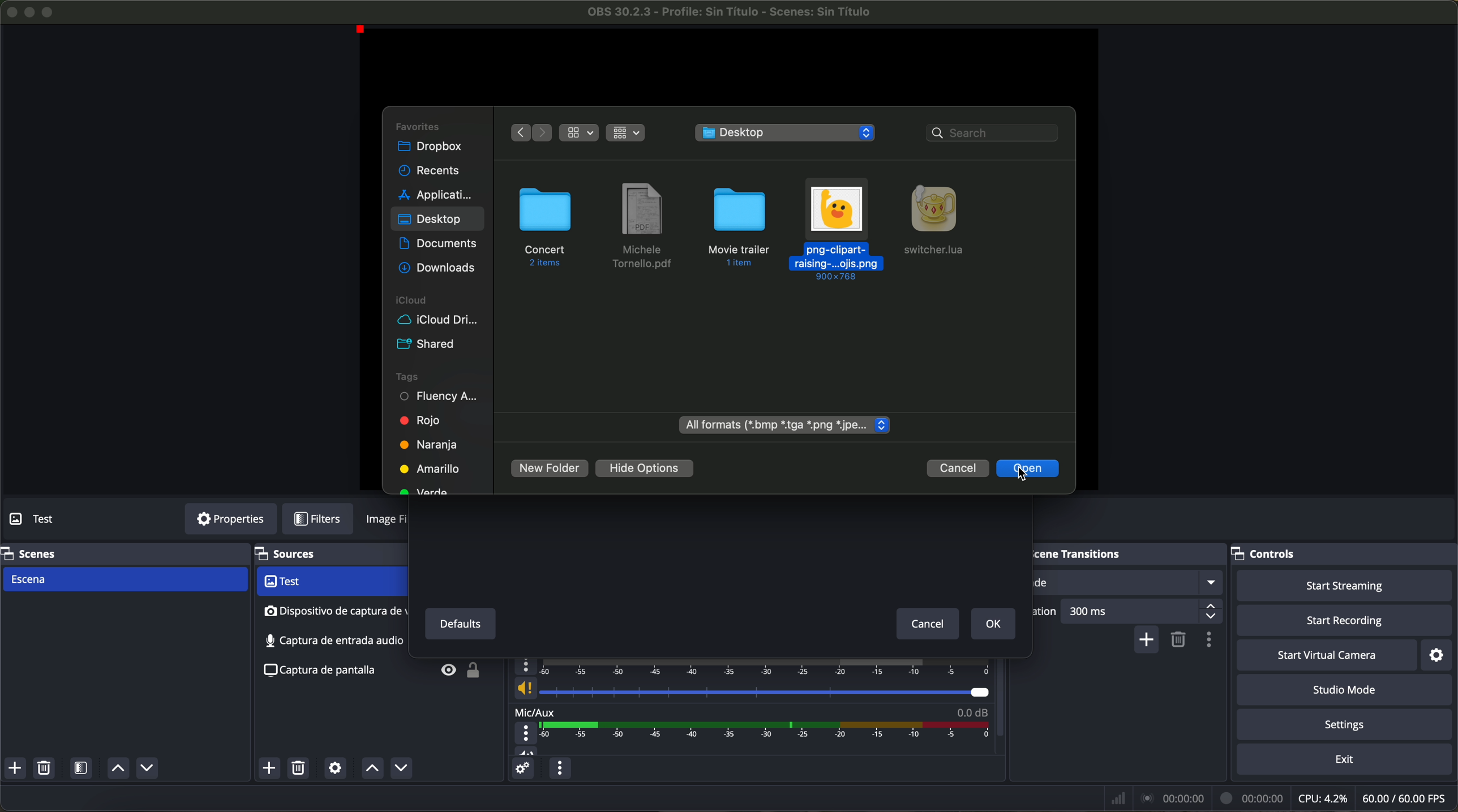 Image resolution: width=1458 pixels, height=812 pixels. I want to click on start recording, so click(1346, 621).